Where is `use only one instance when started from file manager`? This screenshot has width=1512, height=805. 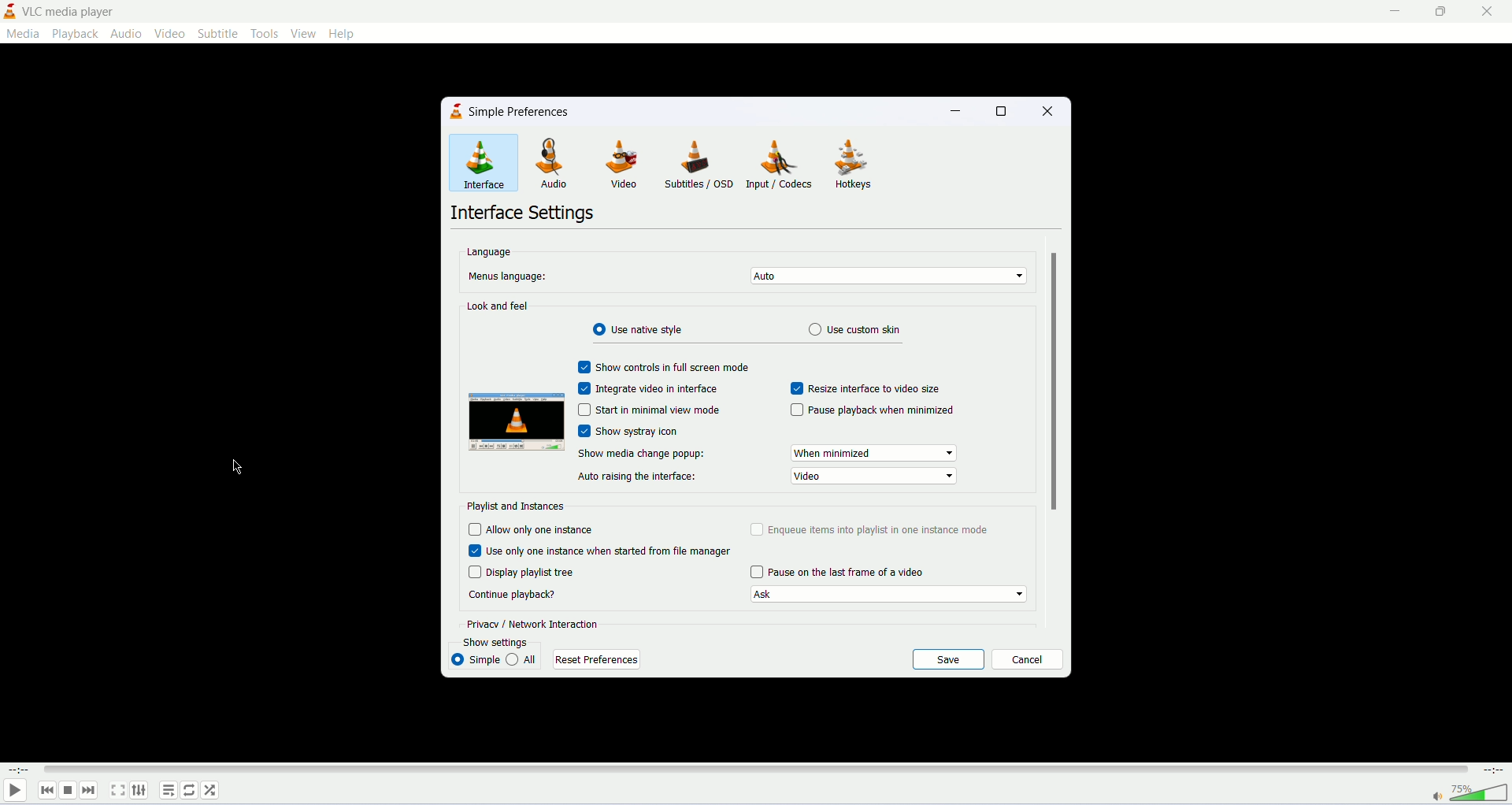 use only one instance when started from file manager is located at coordinates (598, 550).